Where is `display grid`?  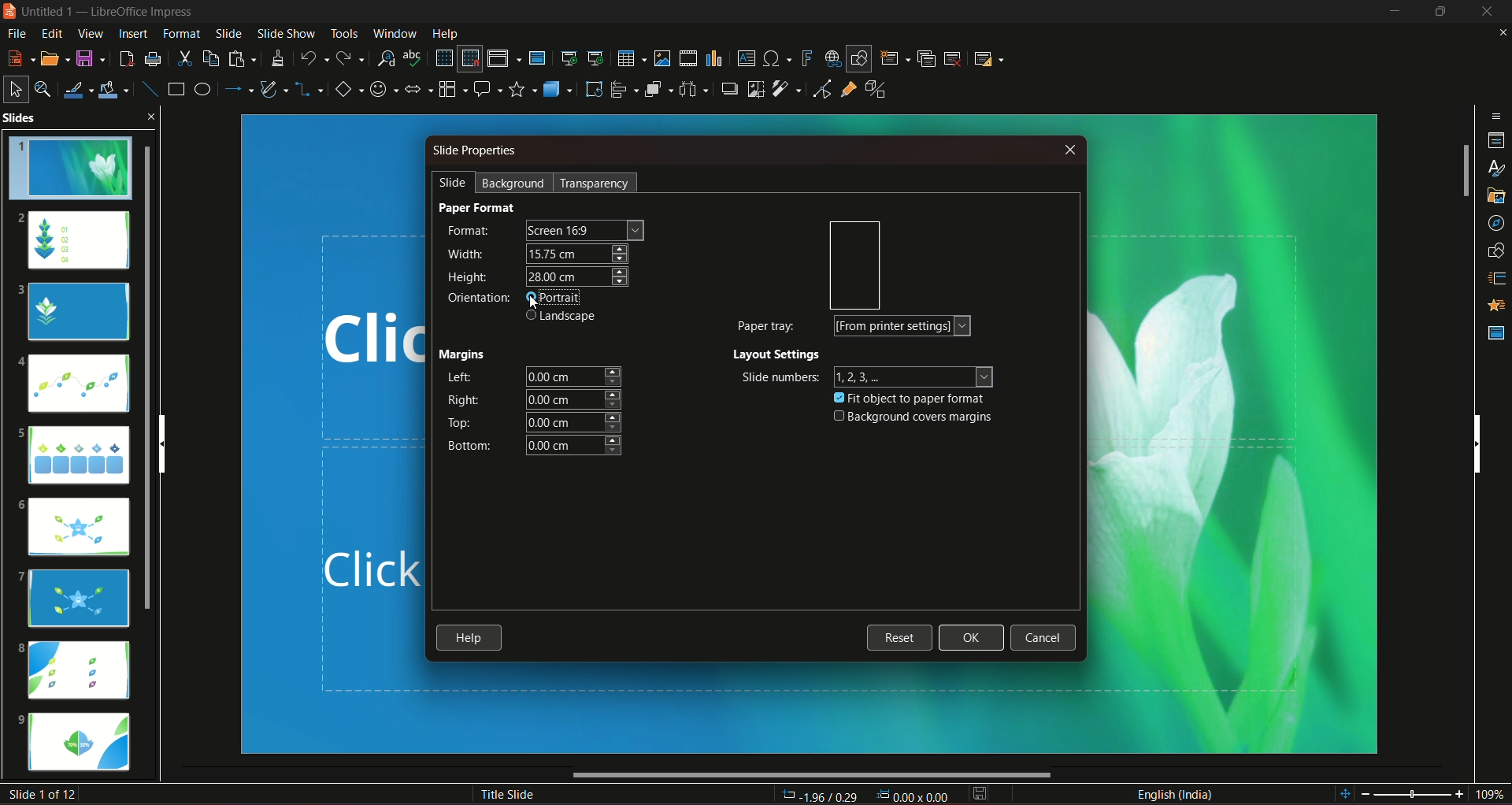 display grid is located at coordinates (443, 57).